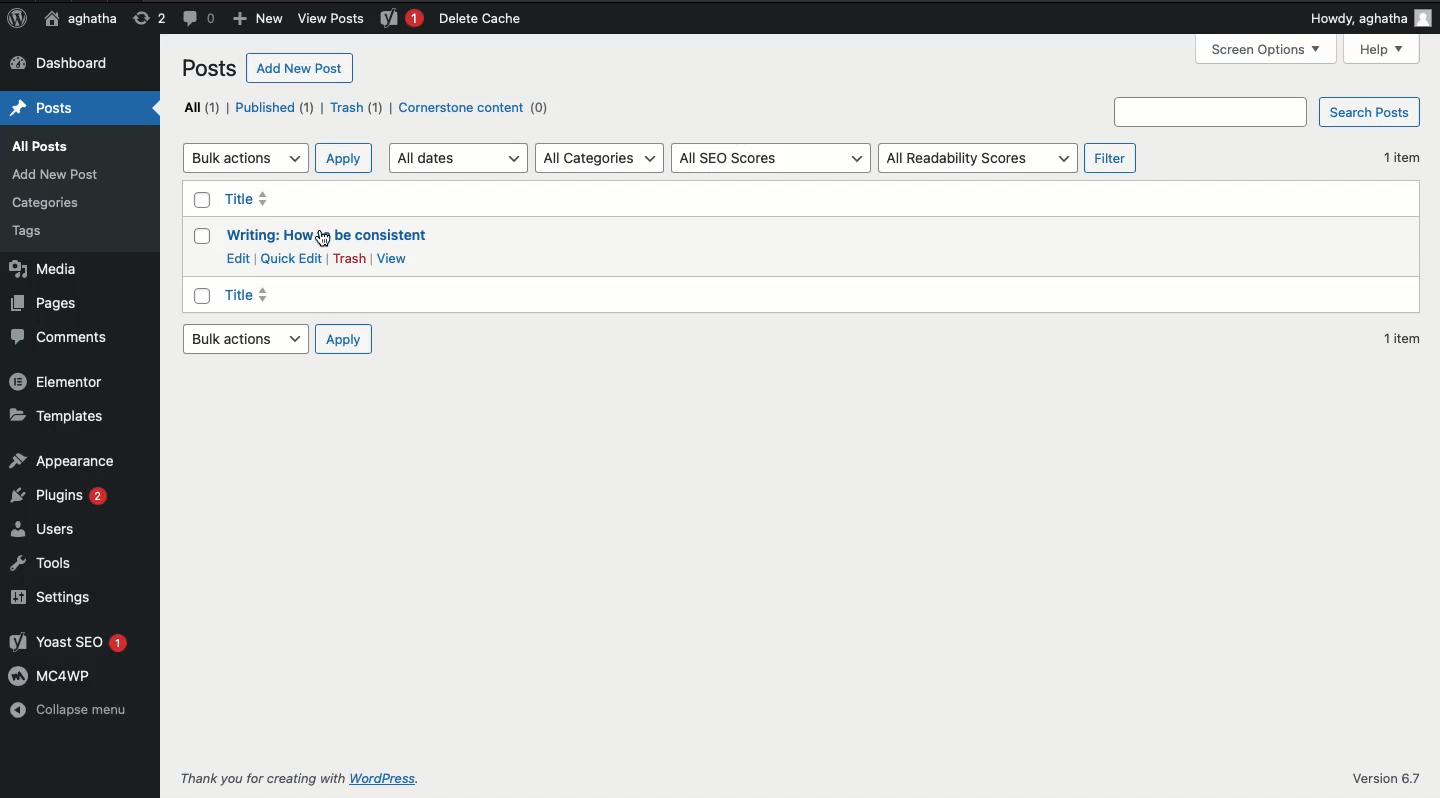 This screenshot has width=1440, height=798. I want to click on 1 item, so click(1402, 338).